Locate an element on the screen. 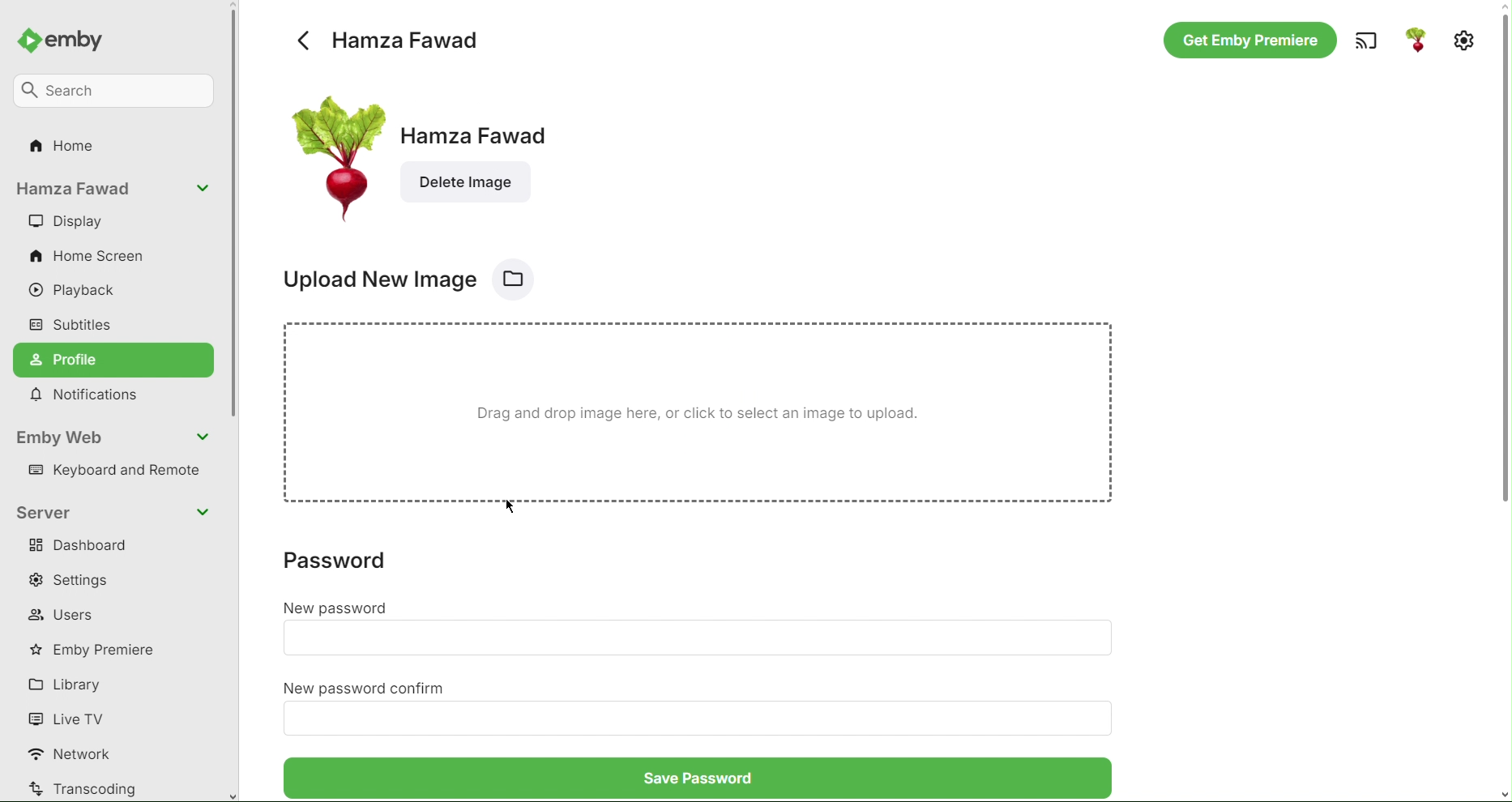 This screenshot has height=802, width=1512. Home Screen is located at coordinates (90, 258).